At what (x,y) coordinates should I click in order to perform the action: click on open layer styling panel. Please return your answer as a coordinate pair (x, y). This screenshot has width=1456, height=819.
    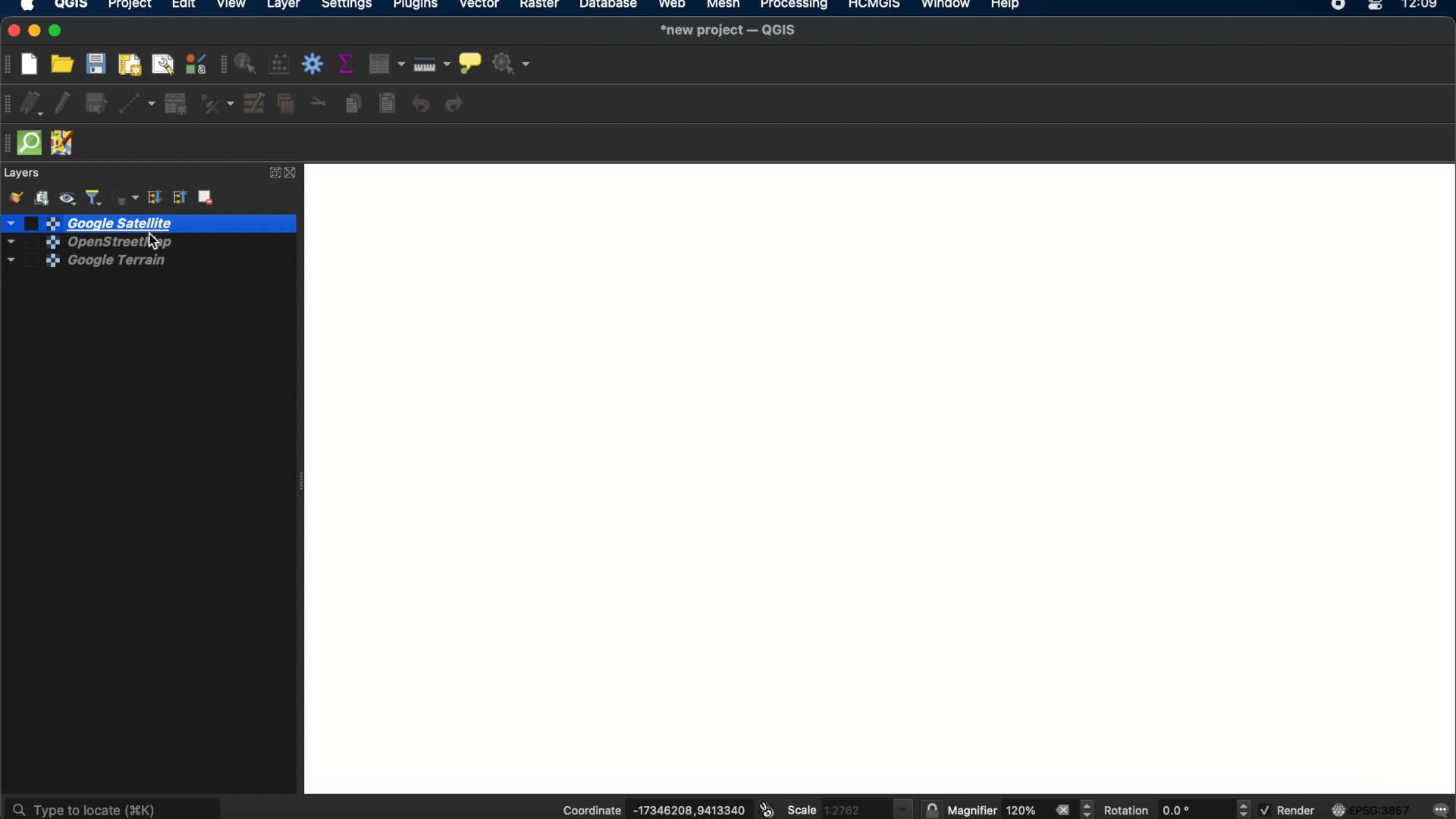
    Looking at the image, I should click on (14, 197).